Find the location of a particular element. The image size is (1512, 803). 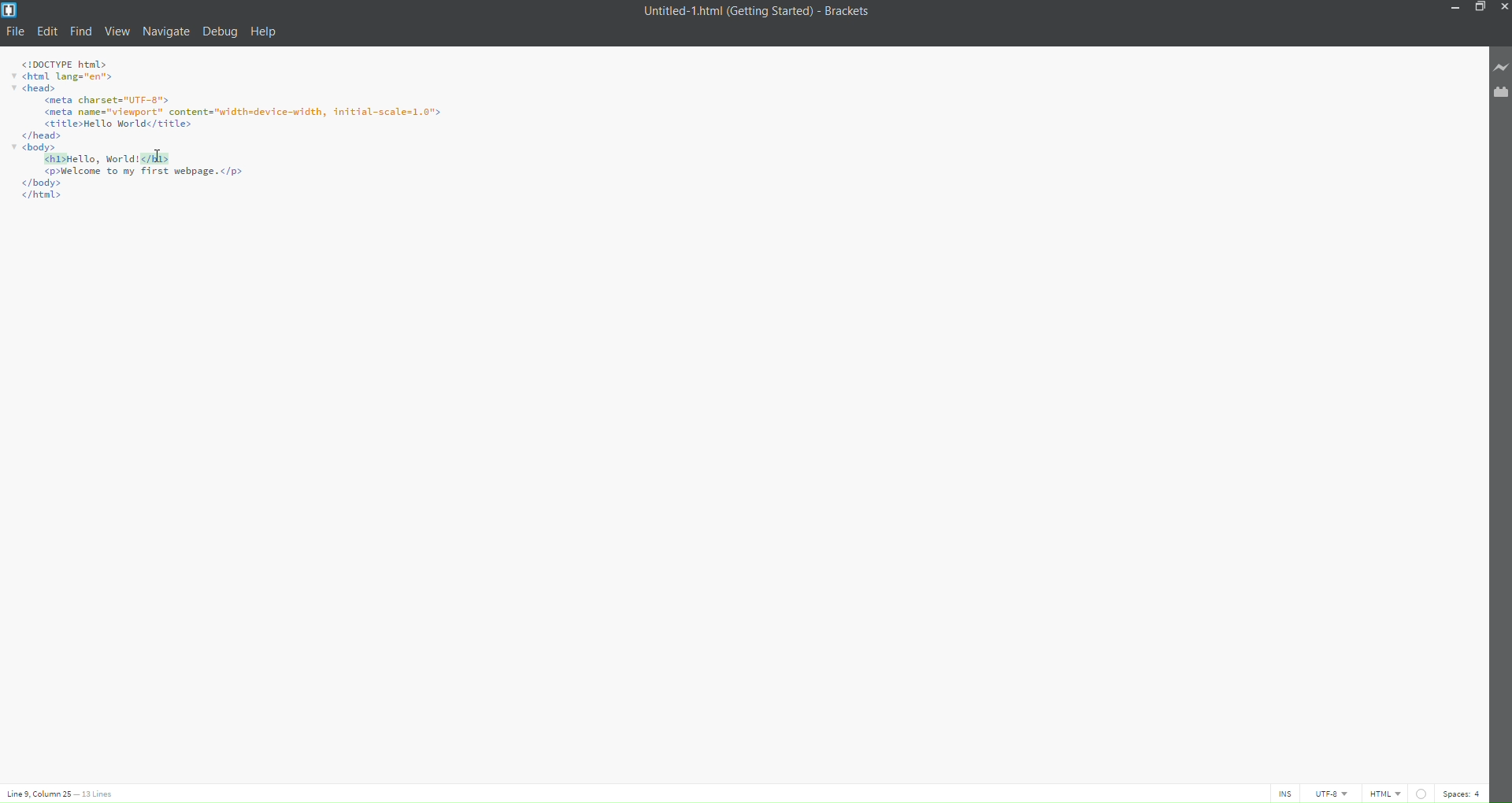

file is located at coordinates (17, 31).